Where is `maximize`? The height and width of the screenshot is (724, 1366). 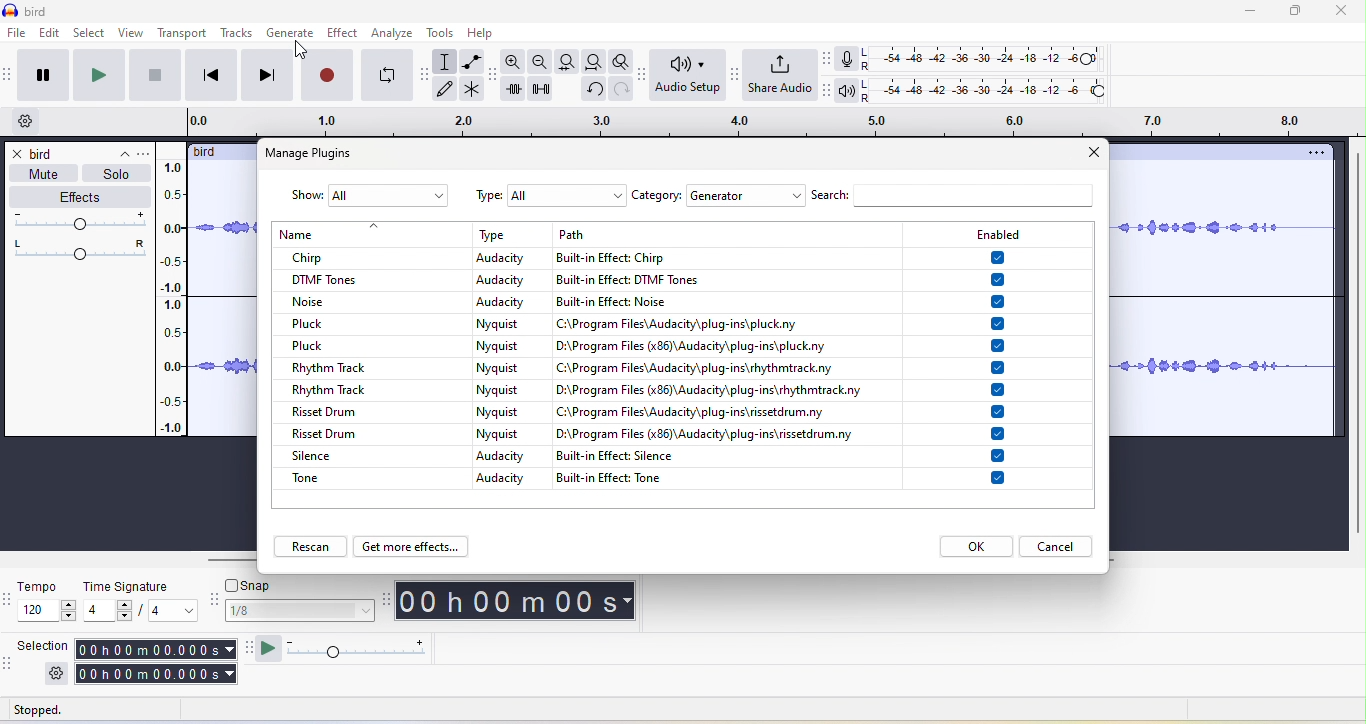
maximize is located at coordinates (1292, 13).